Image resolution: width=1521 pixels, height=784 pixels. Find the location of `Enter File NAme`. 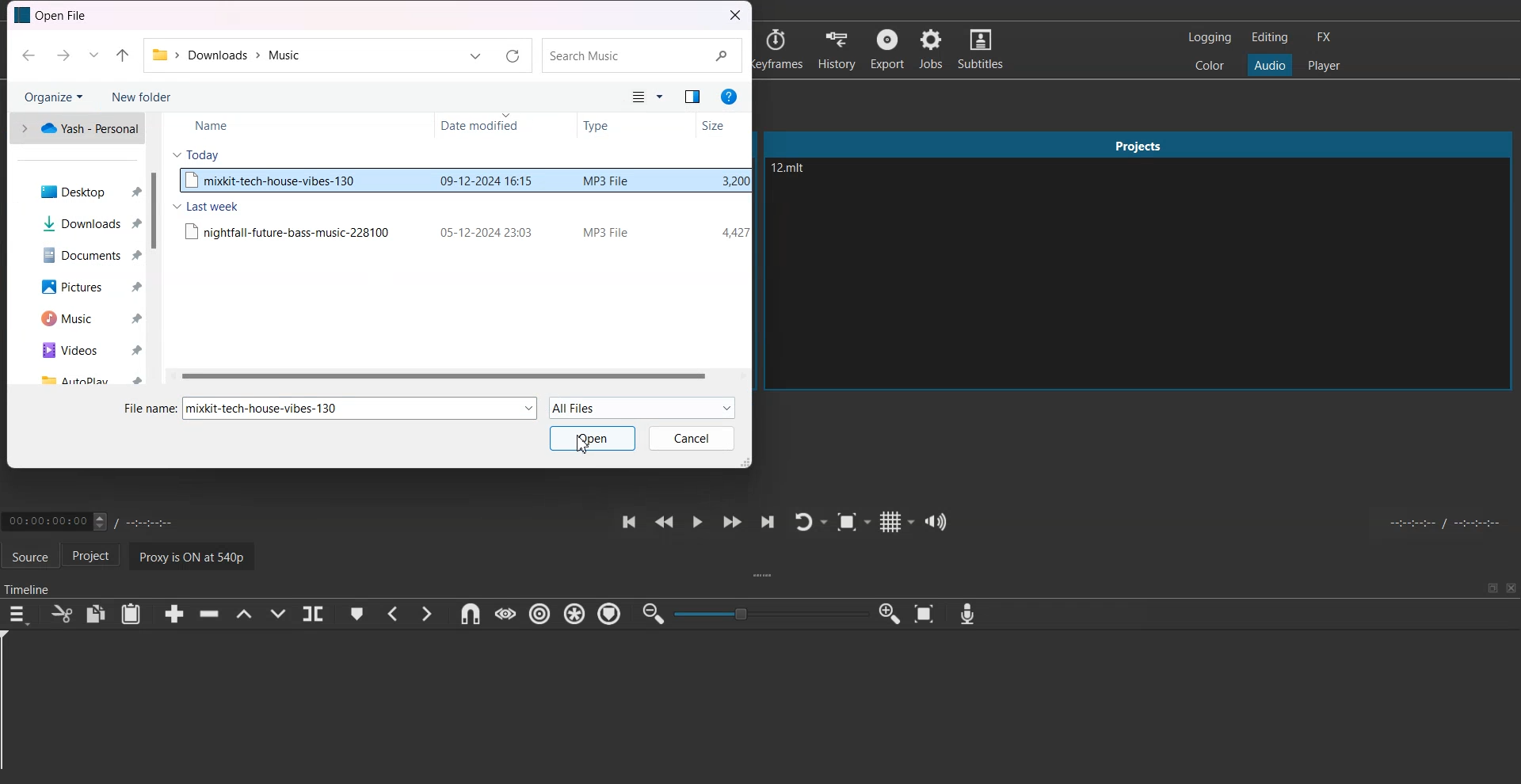

Enter File NAme is located at coordinates (145, 406).